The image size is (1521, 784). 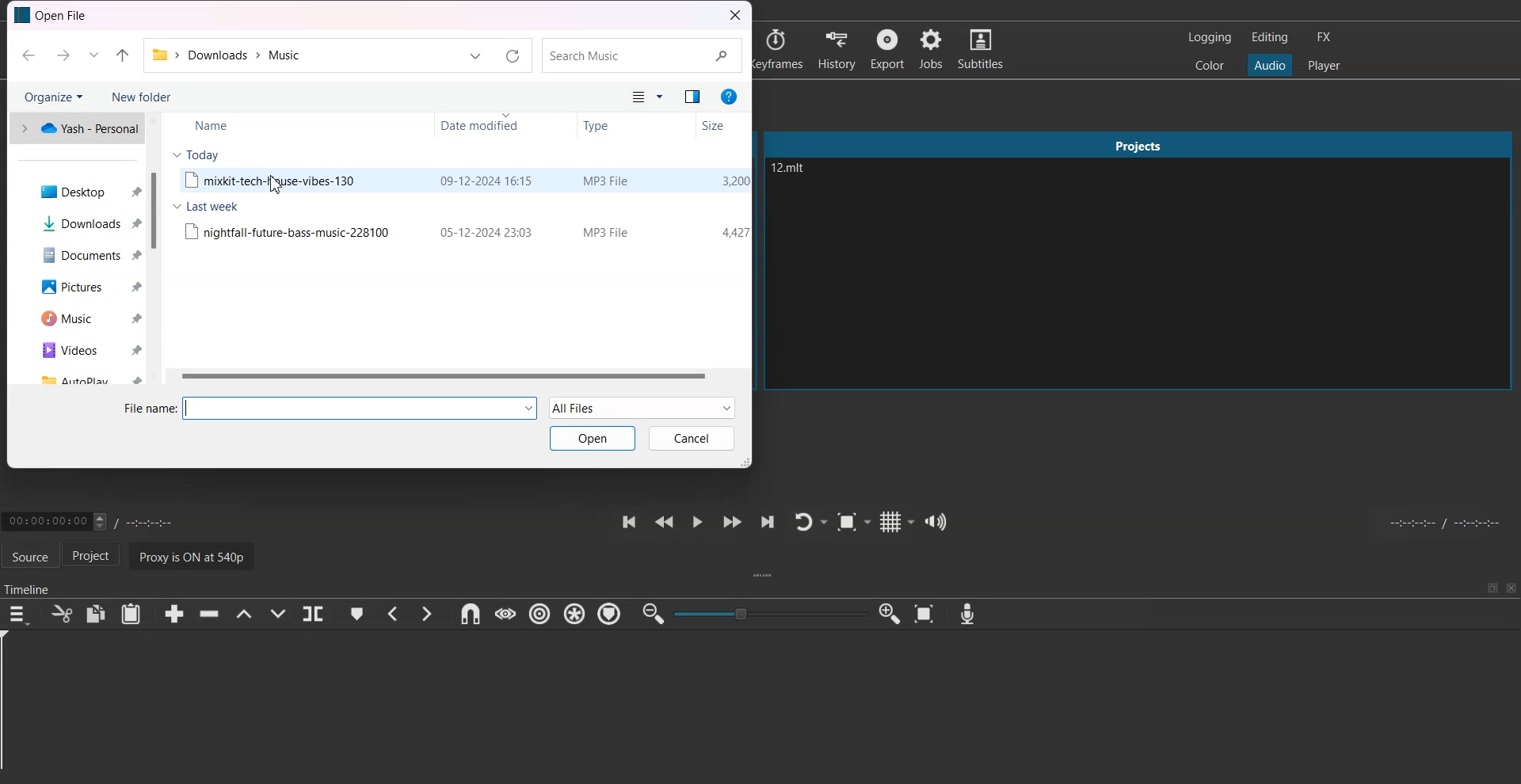 What do you see at coordinates (936, 521) in the screenshot?
I see `Show the volume control` at bounding box center [936, 521].